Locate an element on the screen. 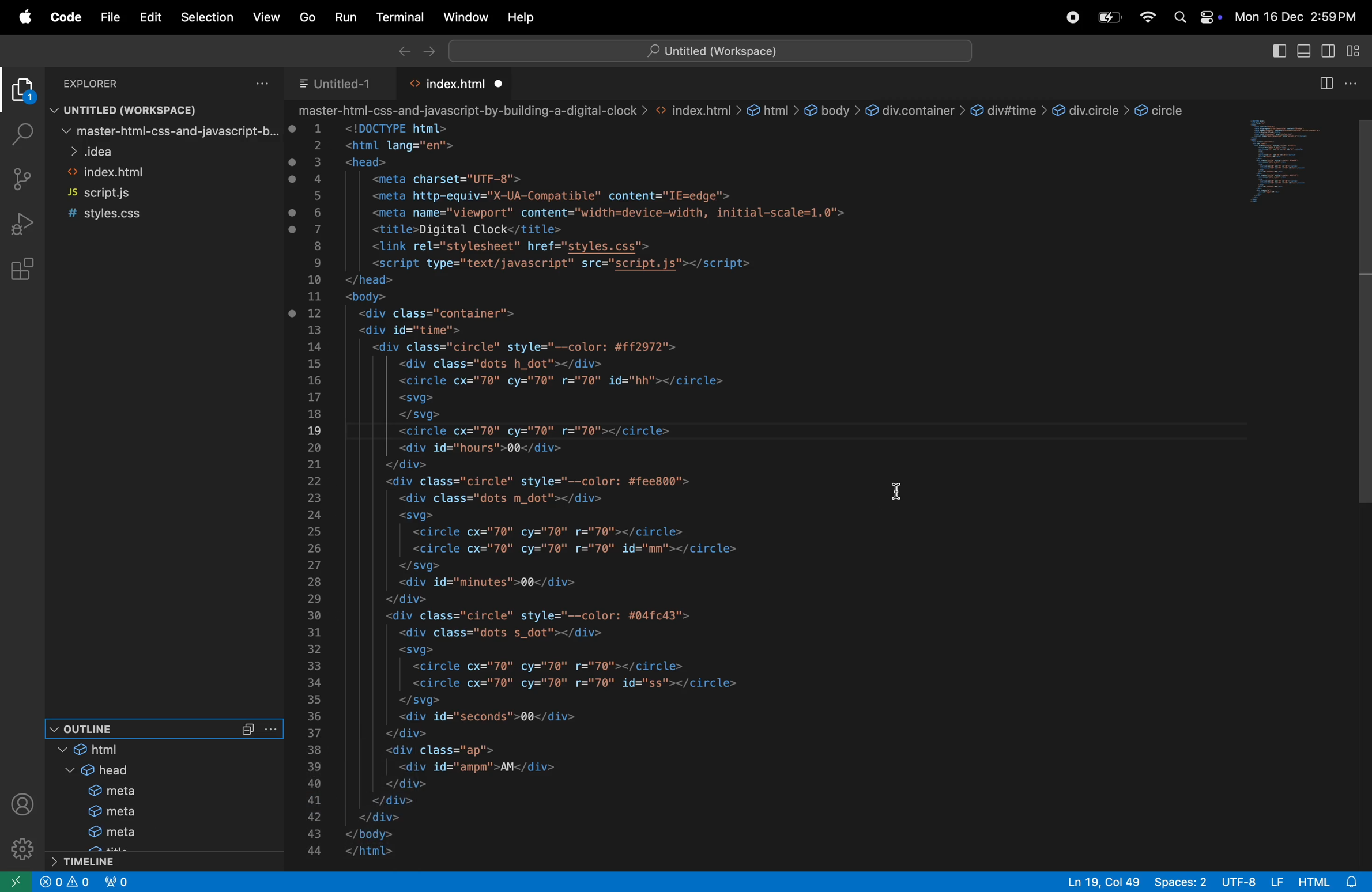  file is located at coordinates (107, 18).